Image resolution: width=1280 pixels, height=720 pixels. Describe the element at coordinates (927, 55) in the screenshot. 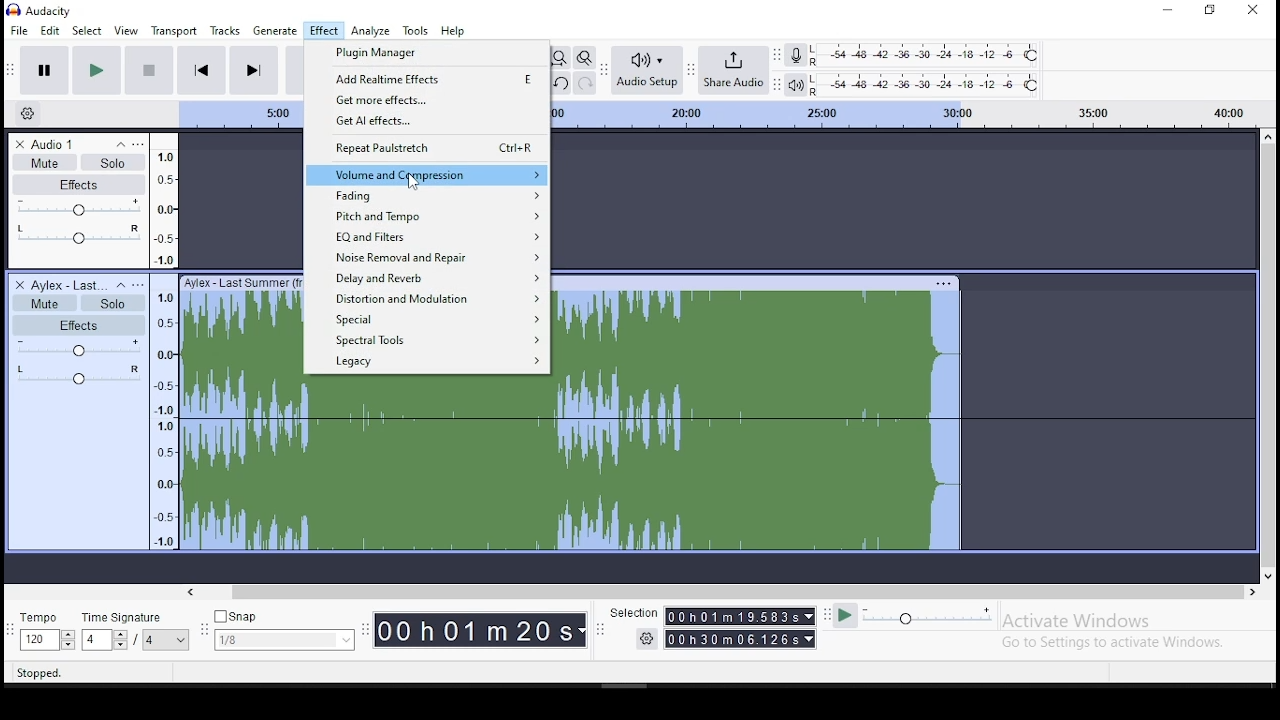

I see `recording level` at that location.